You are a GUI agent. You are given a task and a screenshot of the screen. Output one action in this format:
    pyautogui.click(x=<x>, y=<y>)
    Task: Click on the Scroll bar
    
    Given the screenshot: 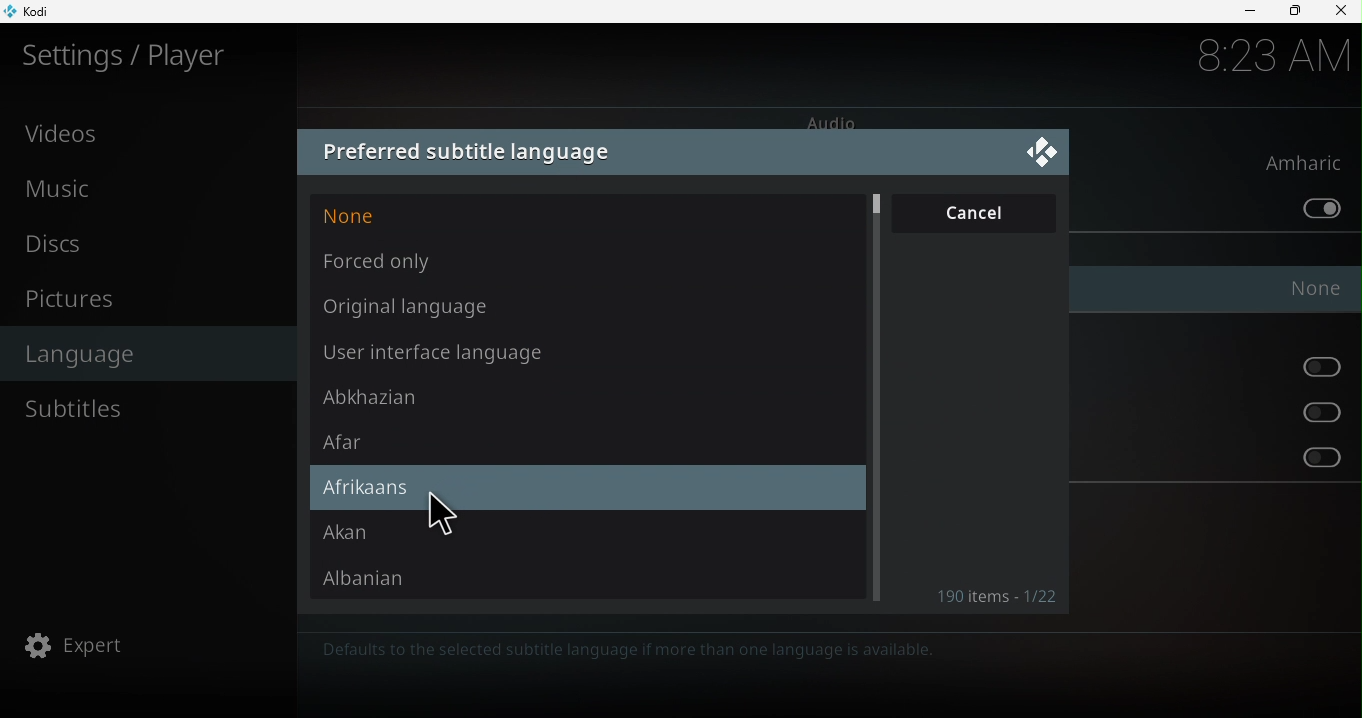 What is the action you would take?
    pyautogui.click(x=878, y=399)
    